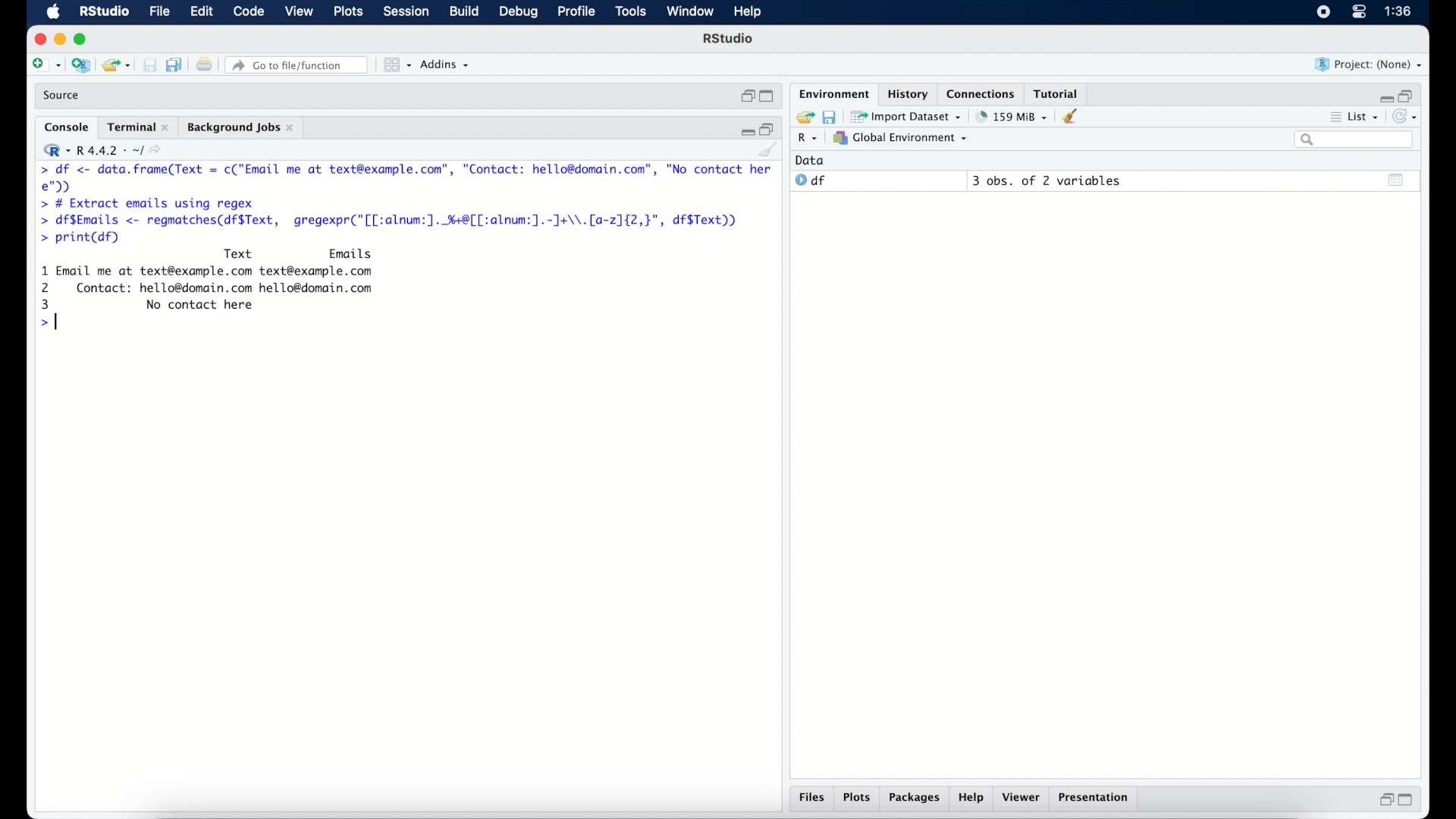  What do you see at coordinates (149, 64) in the screenshot?
I see `print` at bounding box center [149, 64].